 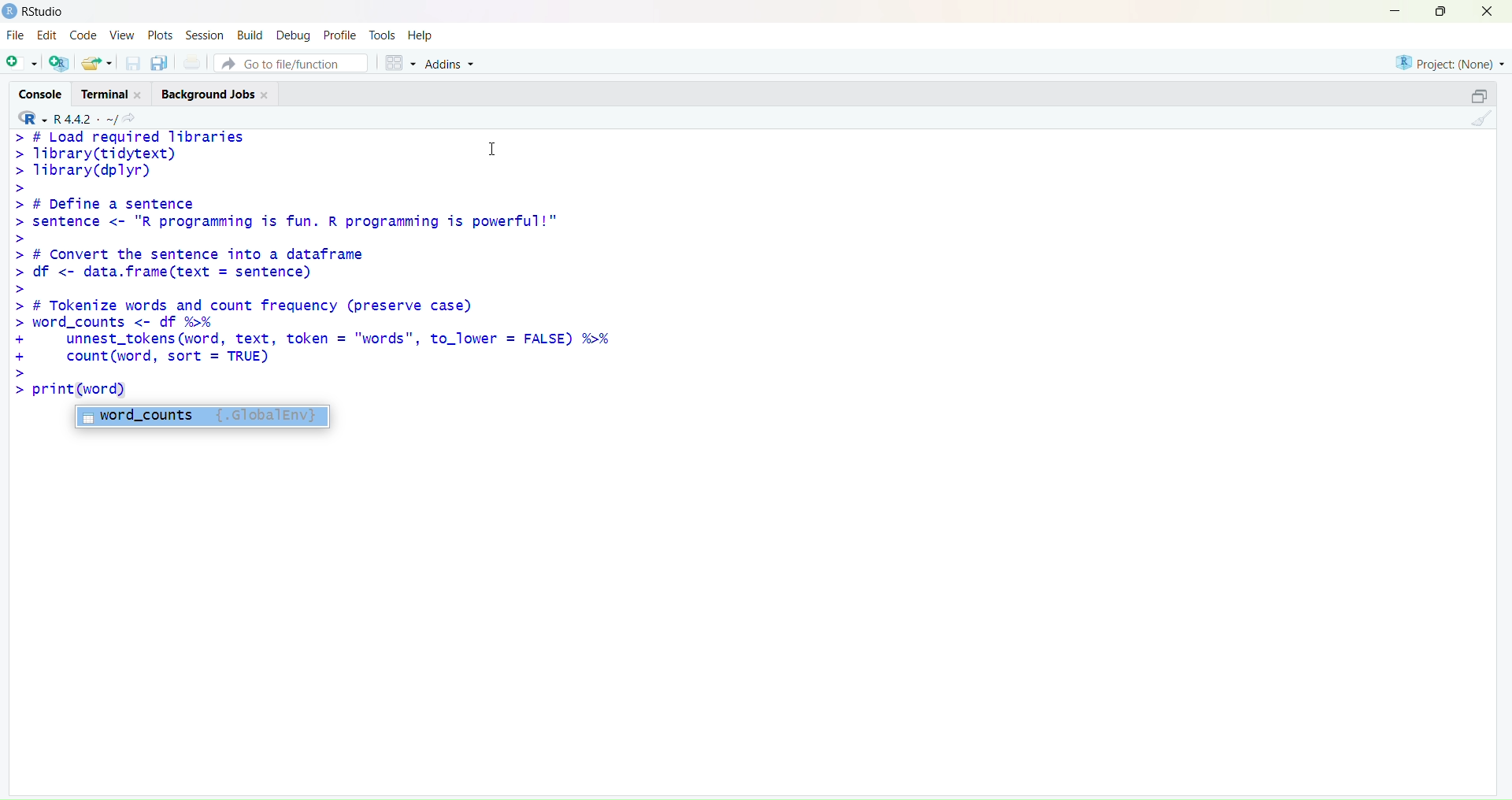 I want to click on maximize, so click(x=1440, y=13).